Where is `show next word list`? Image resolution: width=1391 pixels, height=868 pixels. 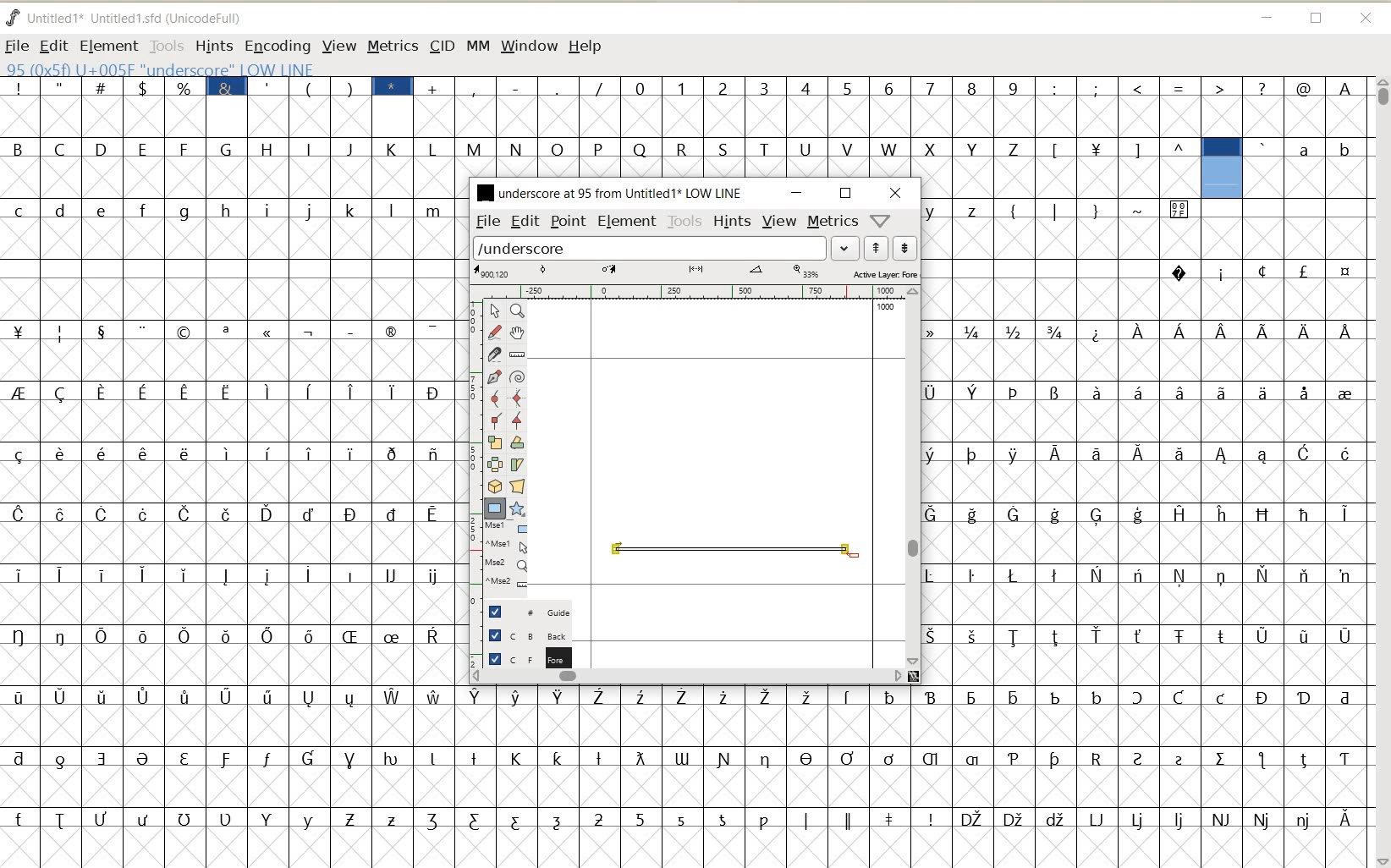 show next word list is located at coordinates (905, 248).